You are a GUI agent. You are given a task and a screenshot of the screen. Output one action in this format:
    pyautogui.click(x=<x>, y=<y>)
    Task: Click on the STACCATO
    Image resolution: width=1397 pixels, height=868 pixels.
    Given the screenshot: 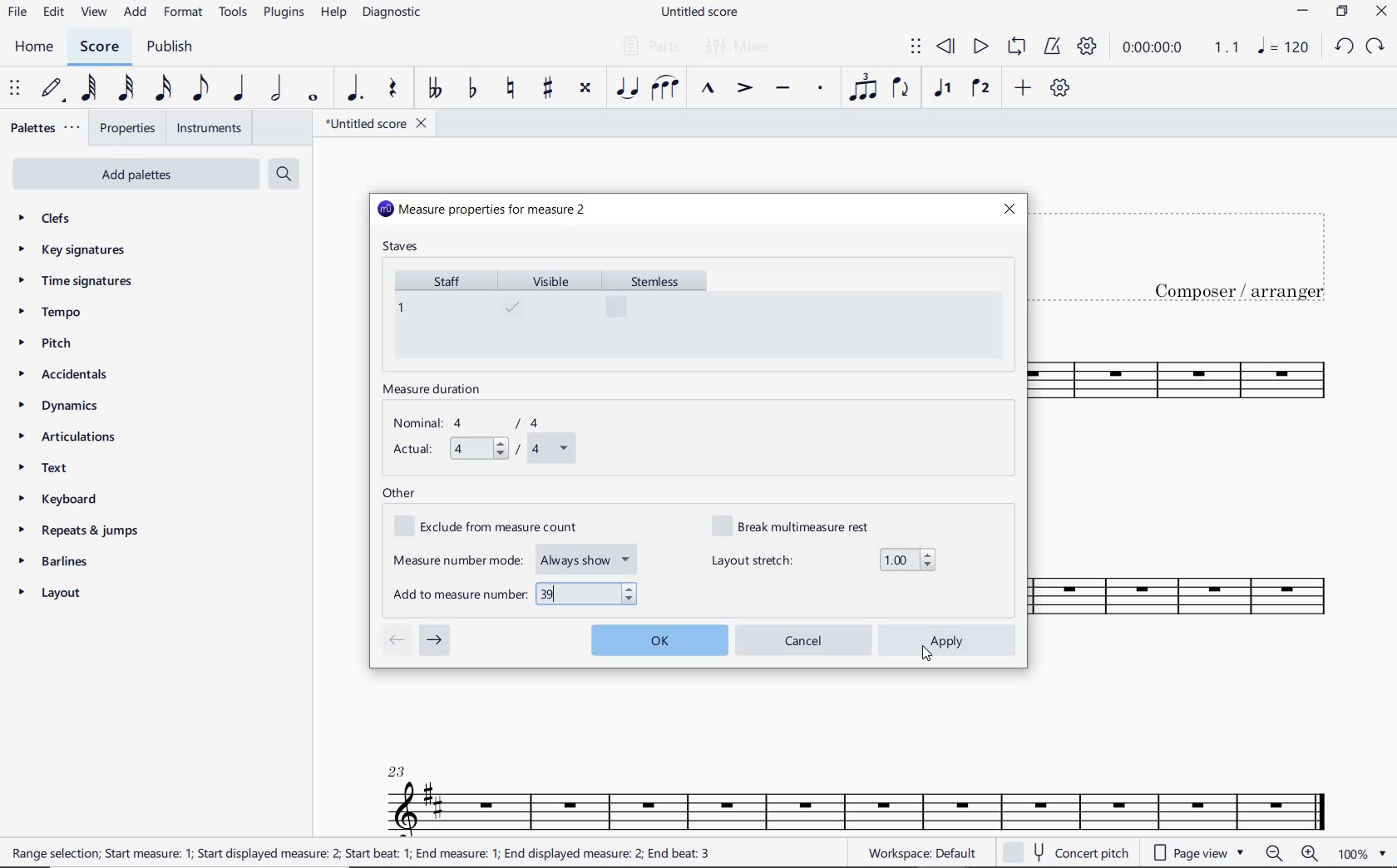 What is the action you would take?
    pyautogui.click(x=820, y=89)
    